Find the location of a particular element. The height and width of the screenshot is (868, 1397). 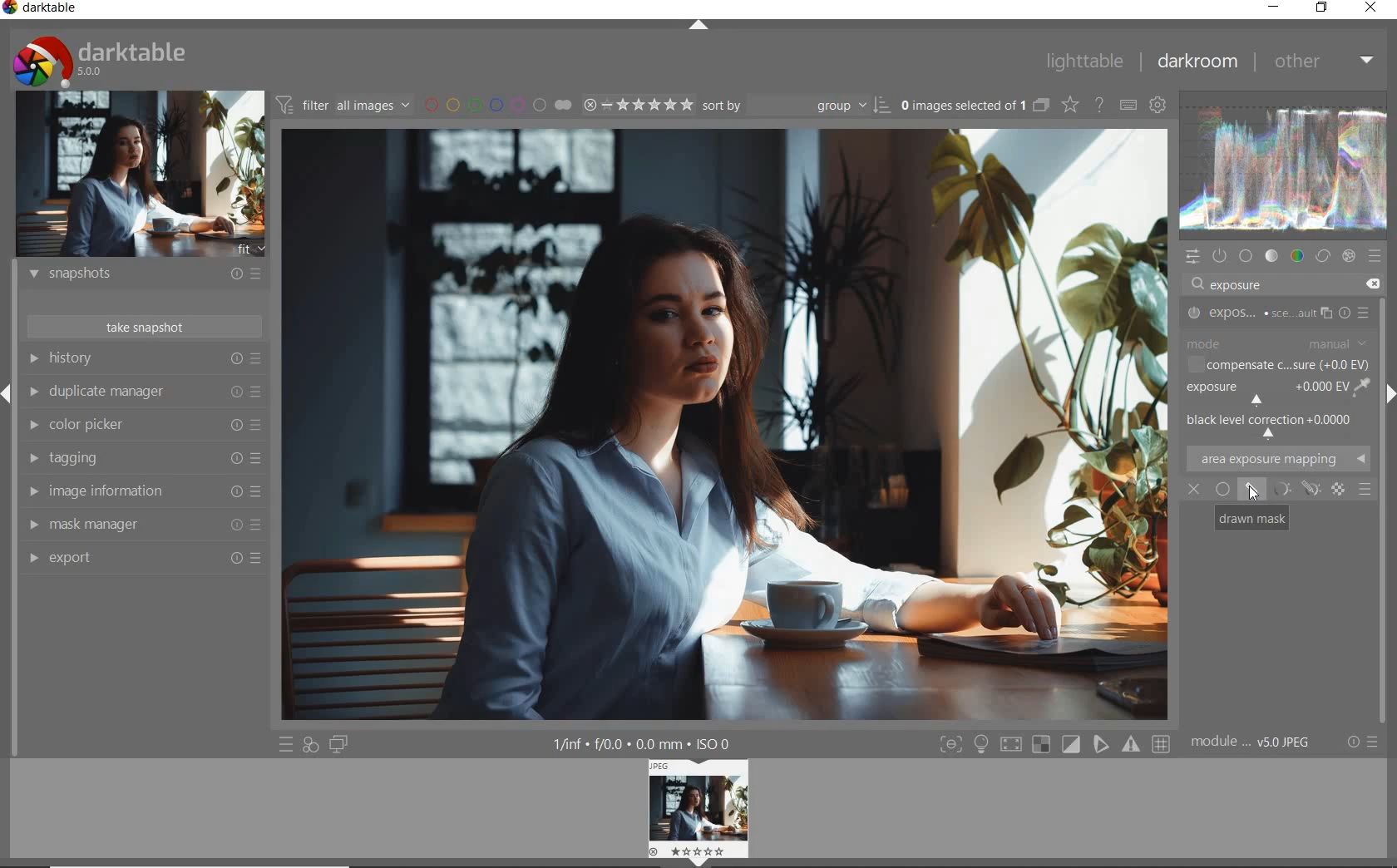

expand grouped images is located at coordinates (976, 107).